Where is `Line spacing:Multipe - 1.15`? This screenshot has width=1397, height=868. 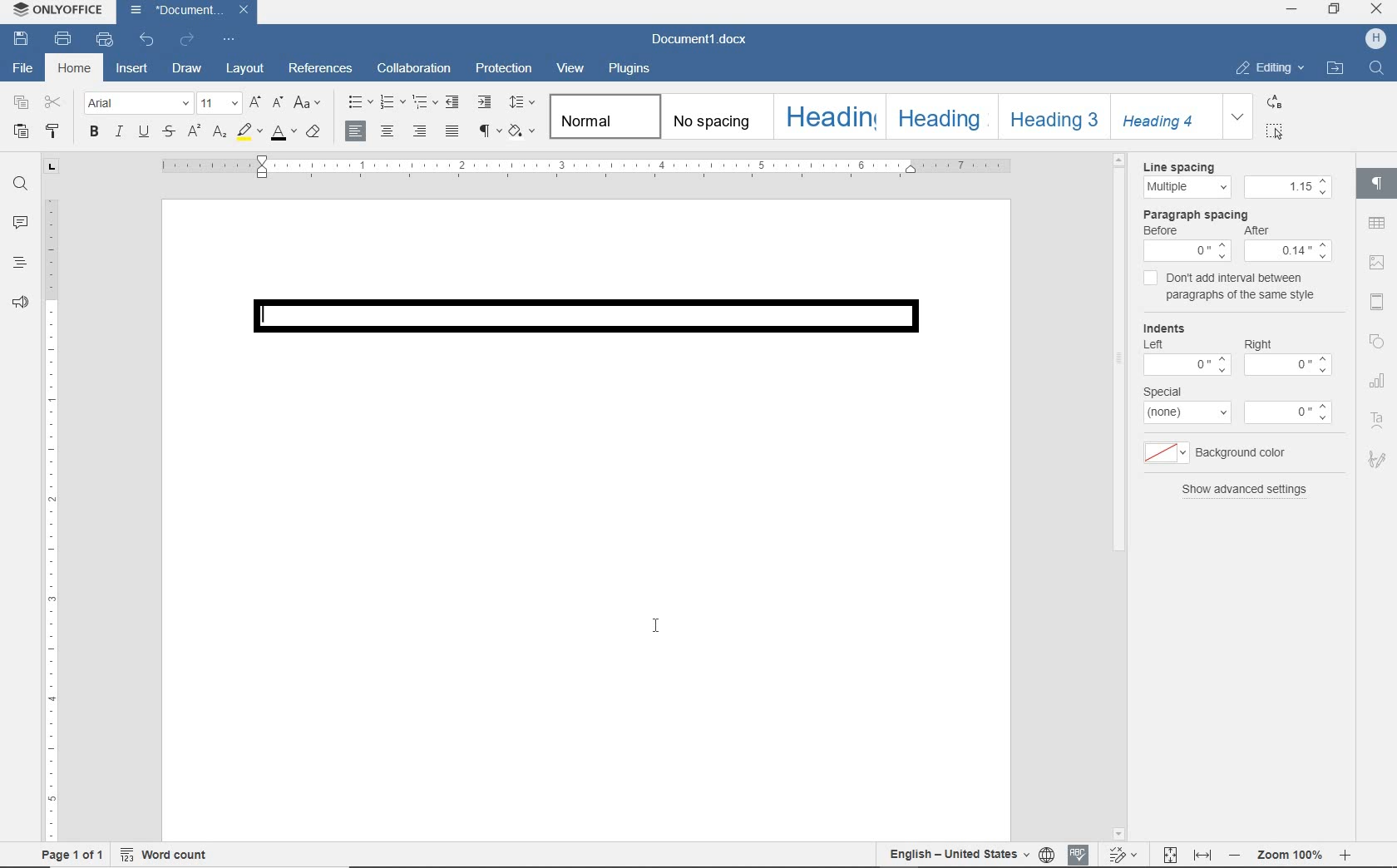 Line spacing:Multipe - 1.15 is located at coordinates (1232, 181).